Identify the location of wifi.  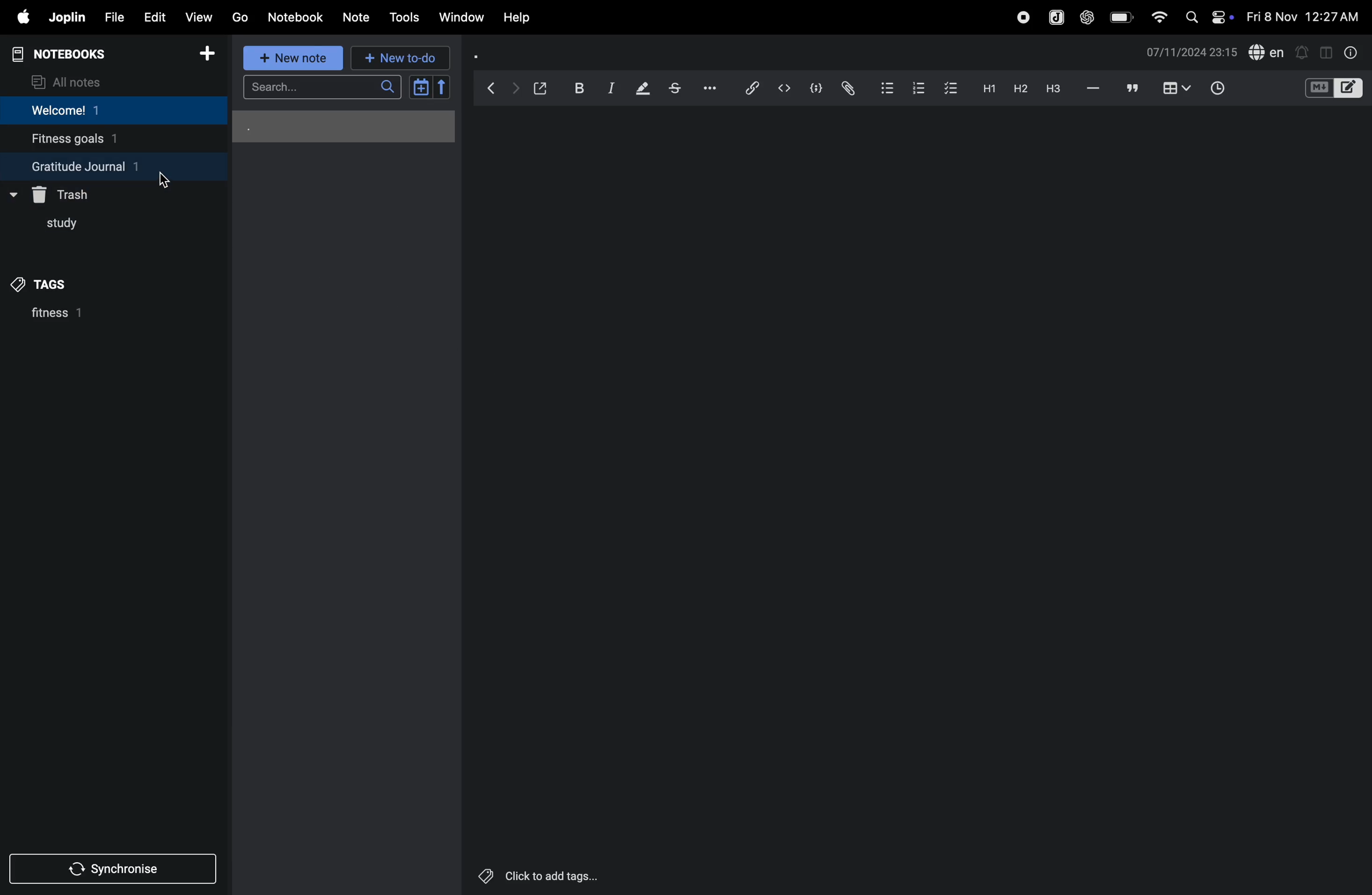
(1158, 18).